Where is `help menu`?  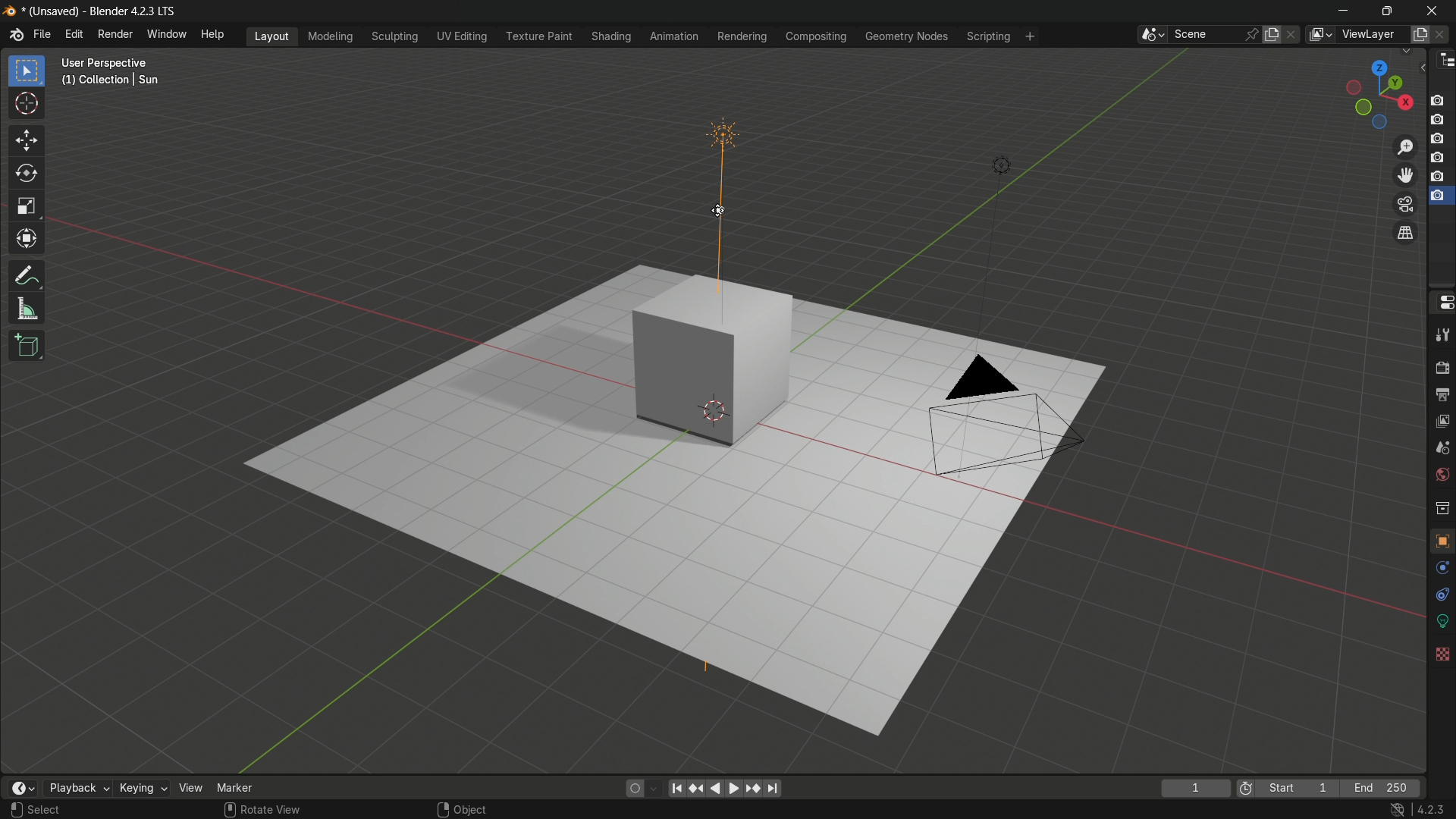
help menu is located at coordinates (212, 34).